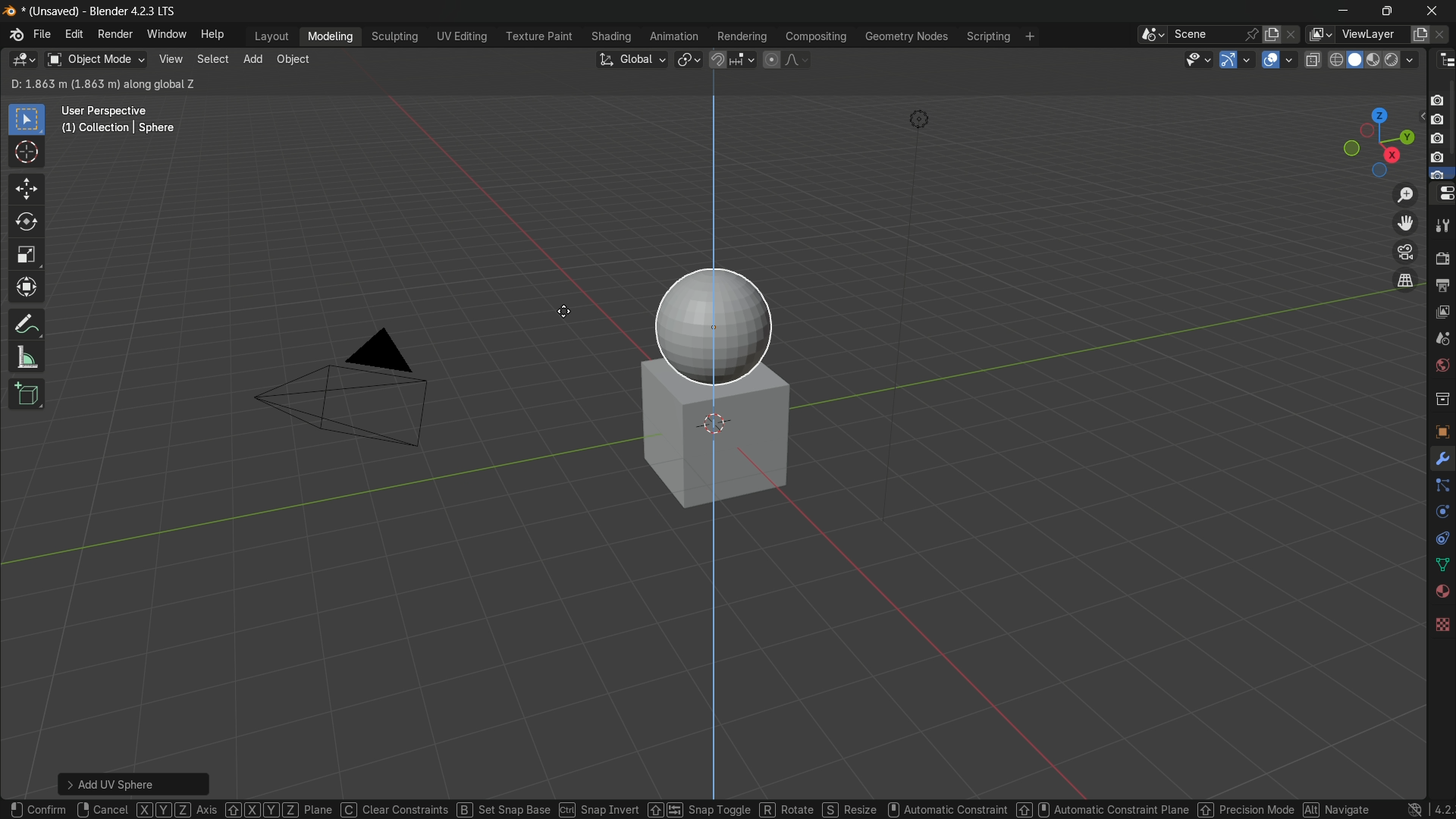  What do you see at coordinates (1153, 35) in the screenshot?
I see `browse scenes` at bounding box center [1153, 35].